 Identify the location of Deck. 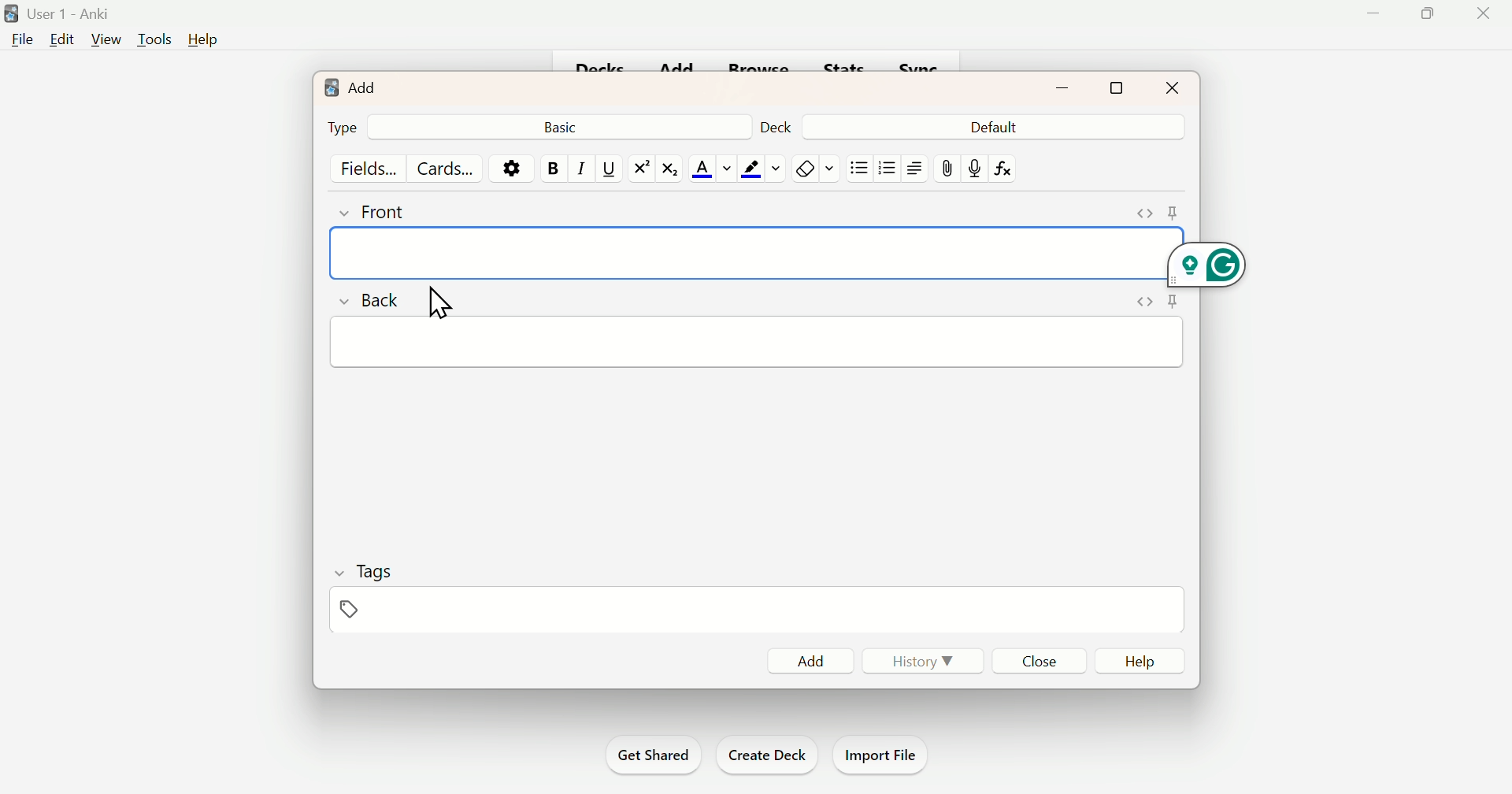
(774, 128).